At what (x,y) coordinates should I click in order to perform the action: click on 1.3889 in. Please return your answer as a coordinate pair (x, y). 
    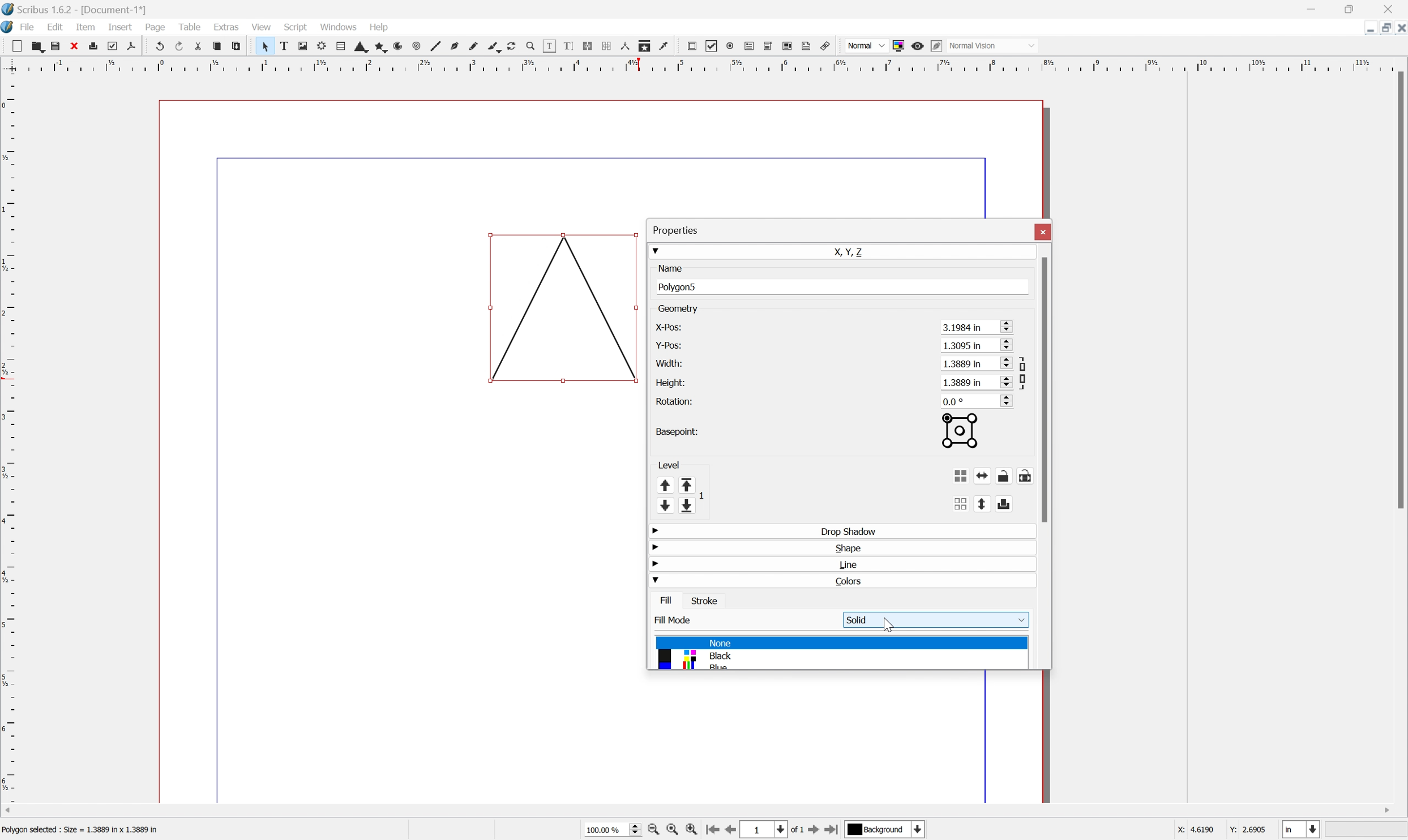
    Looking at the image, I should click on (976, 363).